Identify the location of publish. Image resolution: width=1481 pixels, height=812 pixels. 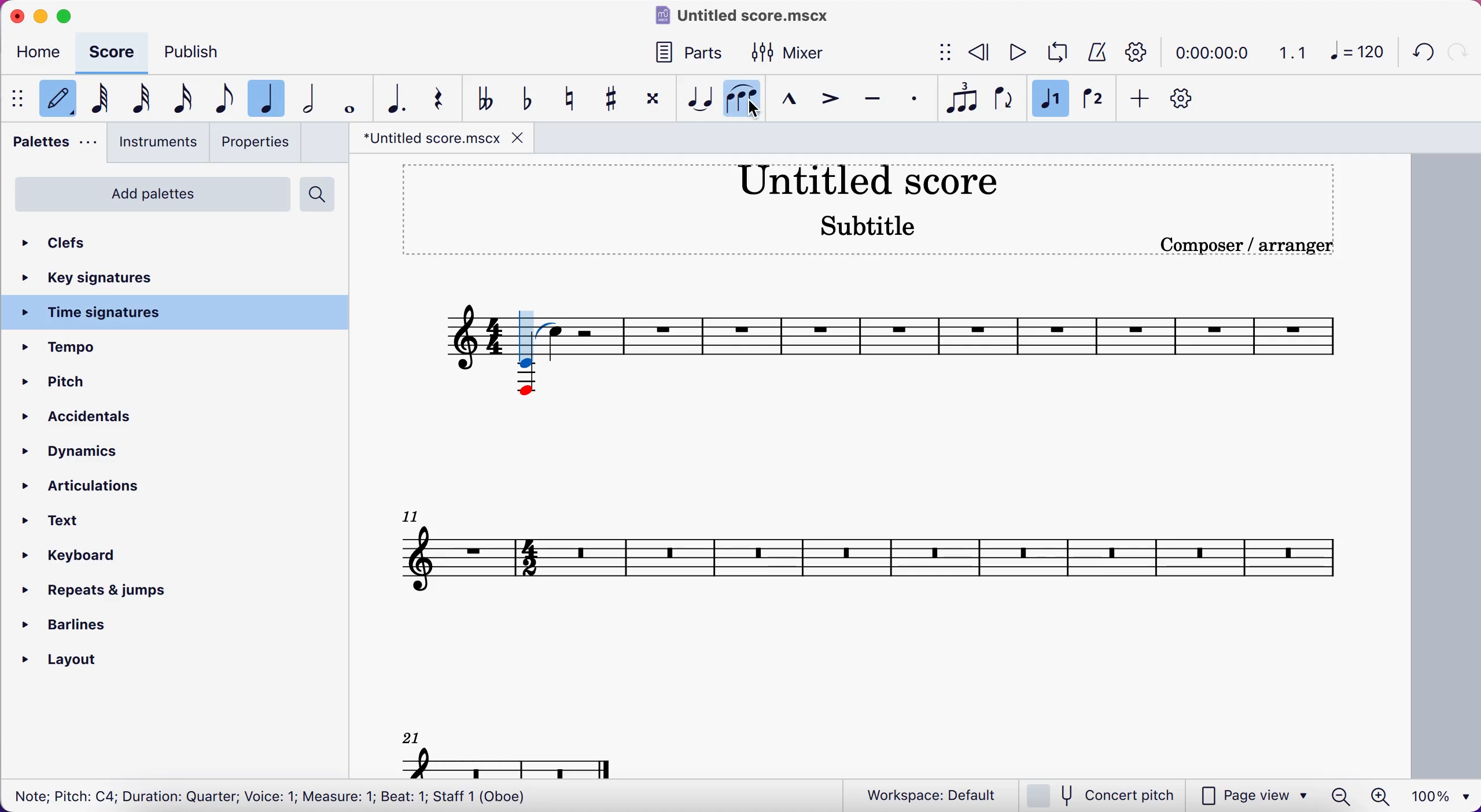
(197, 51).